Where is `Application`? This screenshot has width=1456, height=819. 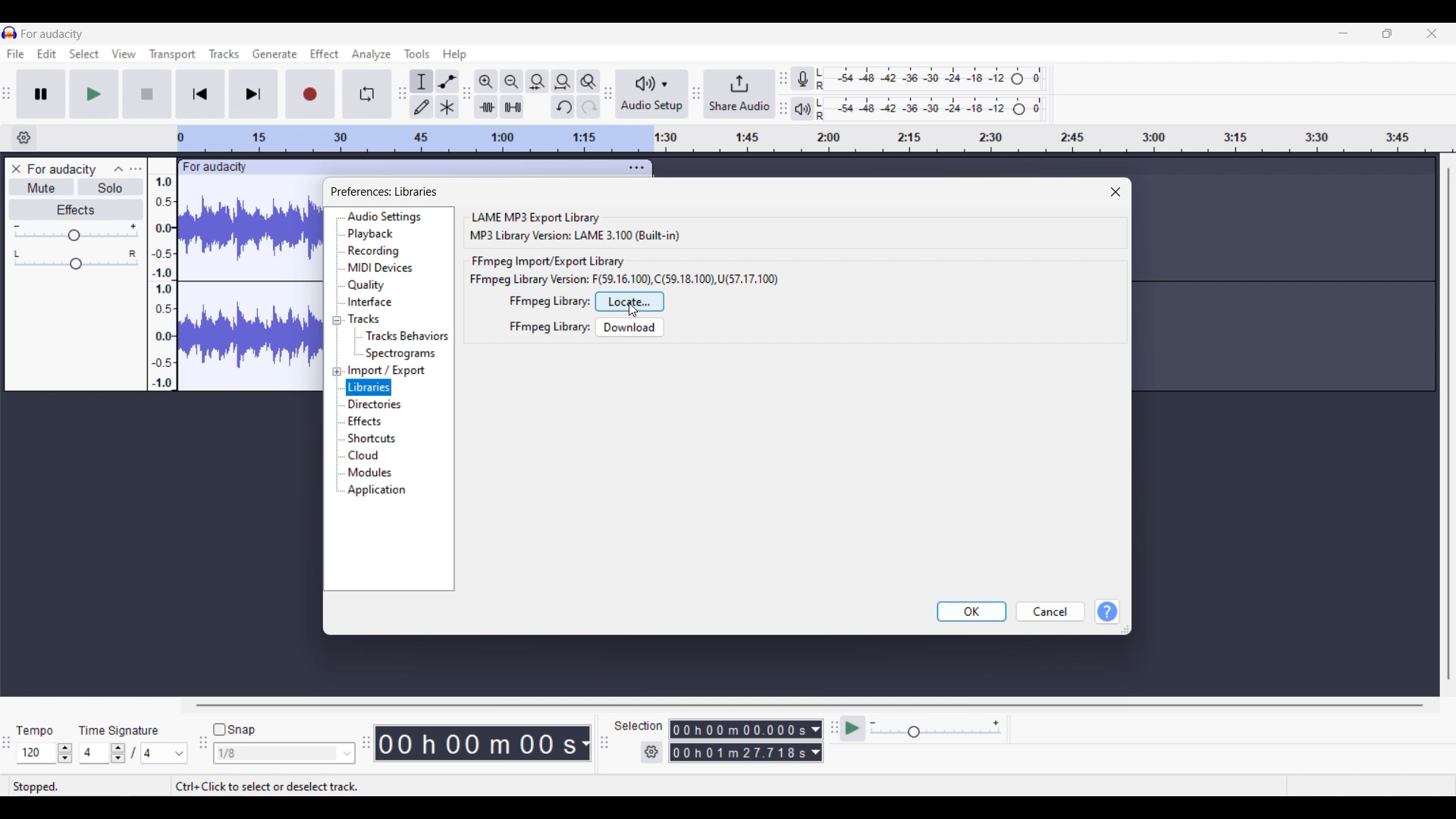
Application is located at coordinates (377, 491).